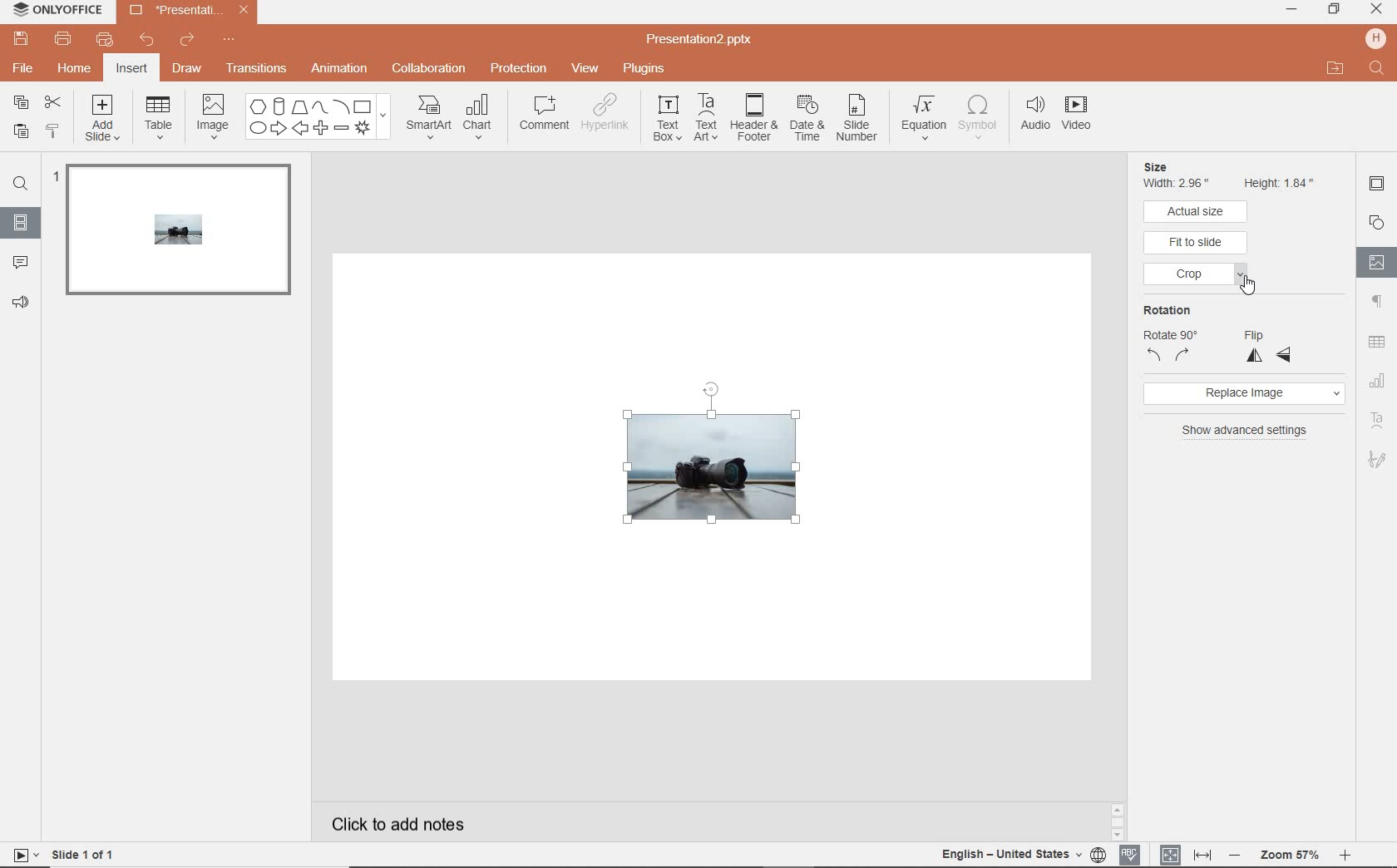 Image resolution: width=1397 pixels, height=868 pixels. Describe the element at coordinates (1376, 303) in the screenshot. I see `paragraph settings` at that location.